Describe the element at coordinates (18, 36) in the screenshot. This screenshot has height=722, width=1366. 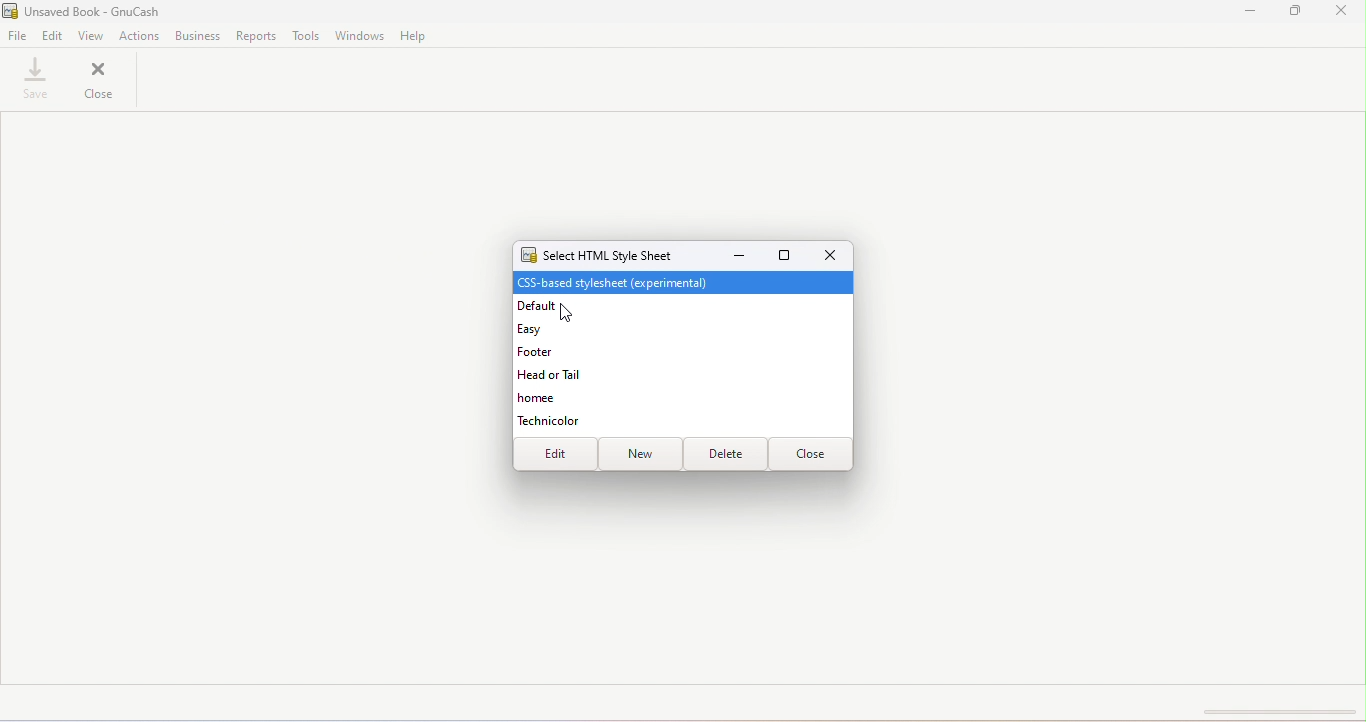
I see `File` at that location.